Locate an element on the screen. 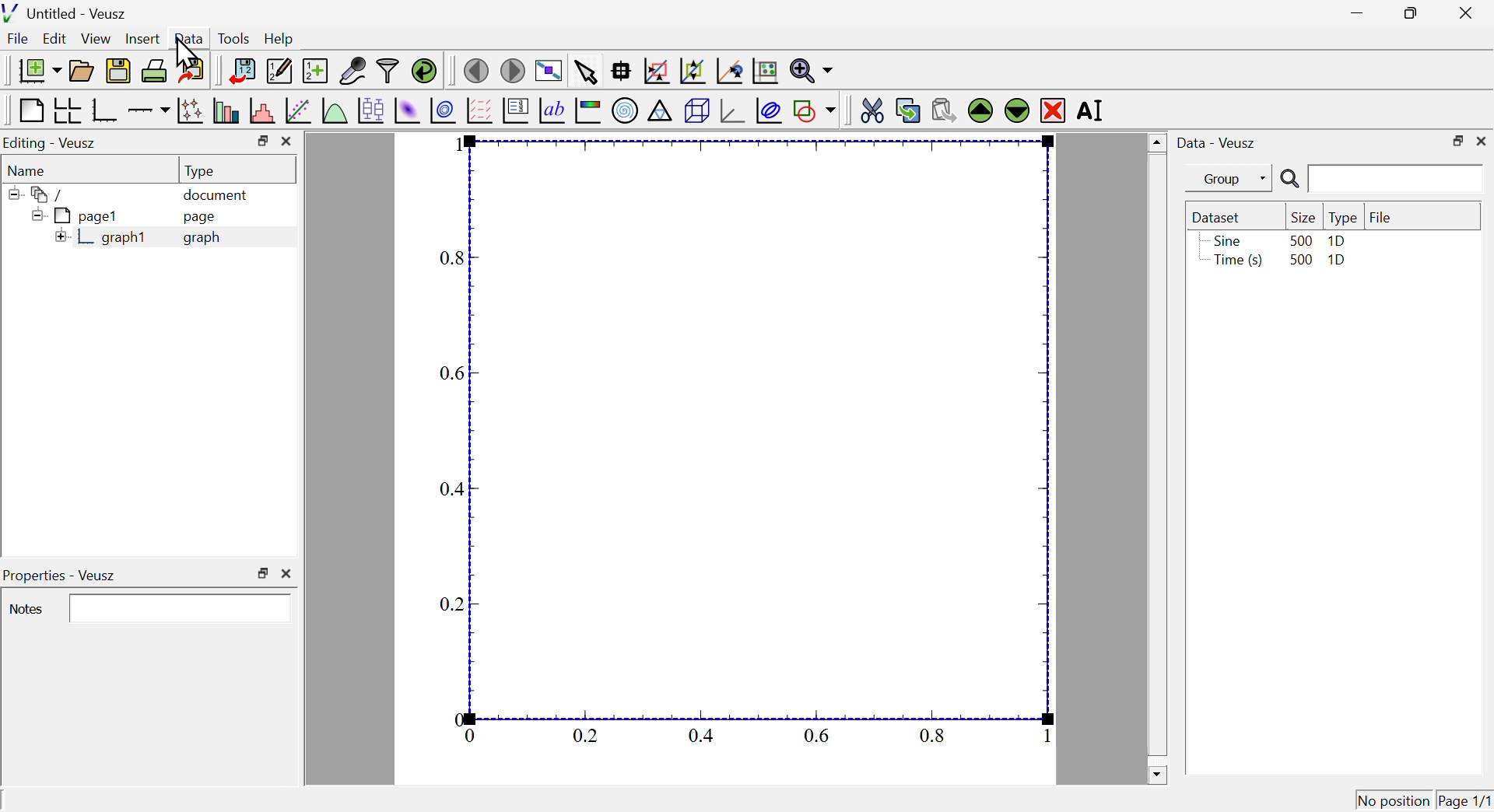  no position is located at coordinates (1394, 799).